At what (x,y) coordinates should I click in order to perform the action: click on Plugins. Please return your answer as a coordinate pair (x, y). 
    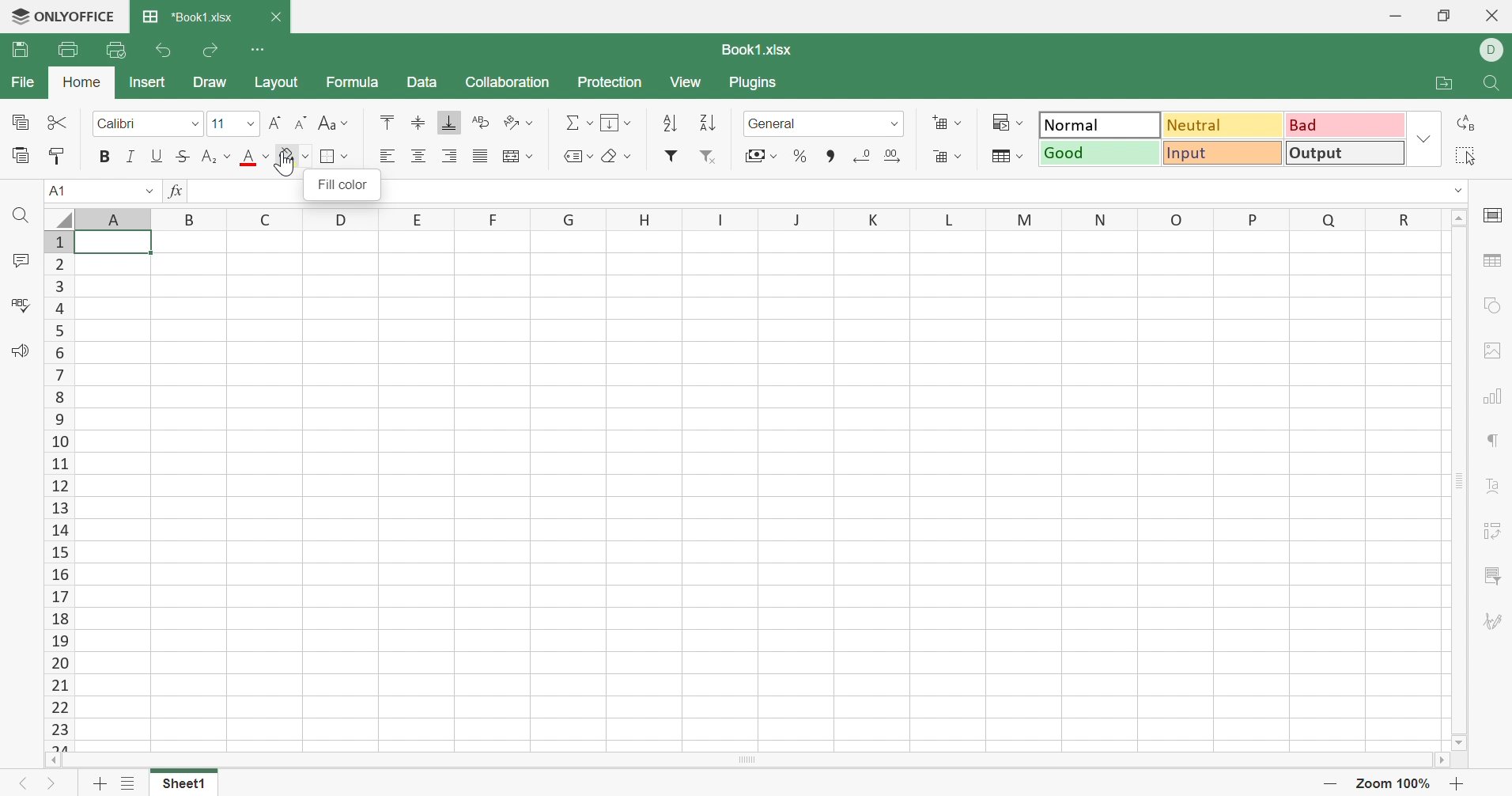
    Looking at the image, I should click on (754, 81).